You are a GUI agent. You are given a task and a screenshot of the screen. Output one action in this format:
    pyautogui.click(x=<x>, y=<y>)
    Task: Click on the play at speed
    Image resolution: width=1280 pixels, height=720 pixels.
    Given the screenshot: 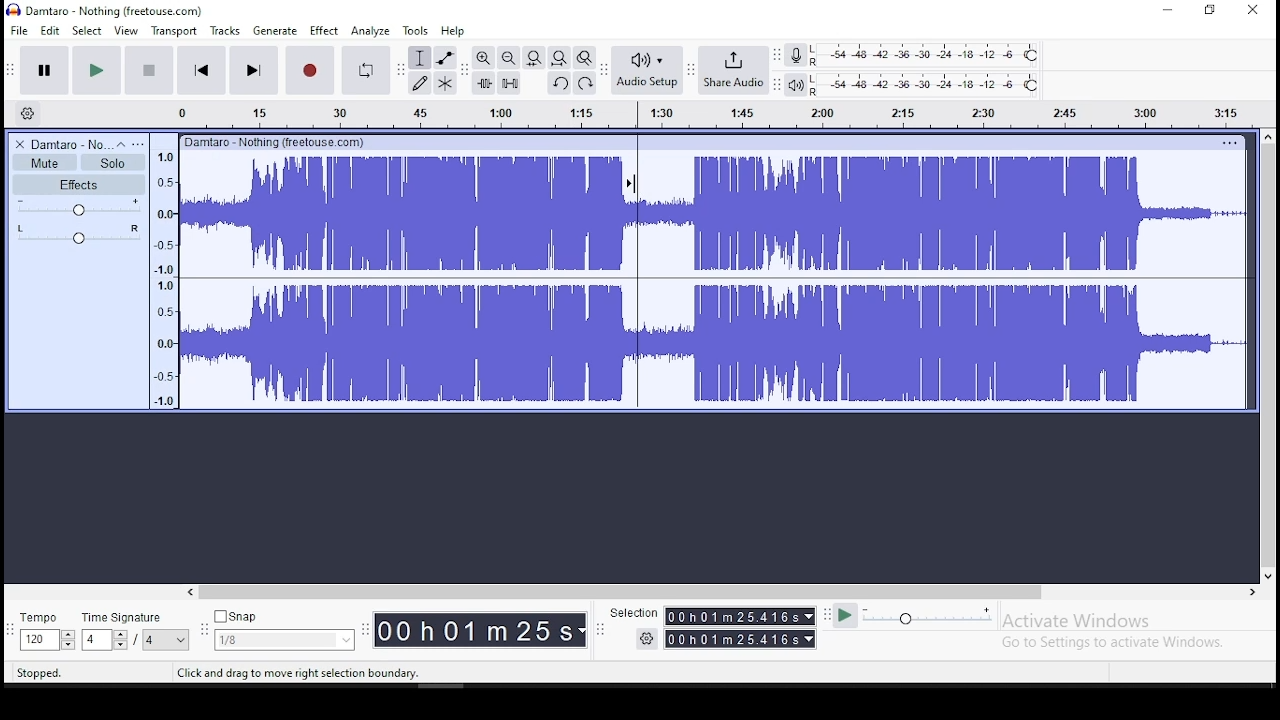 What is the action you would take?
    pyautogui.click(x=846, y=618)
    